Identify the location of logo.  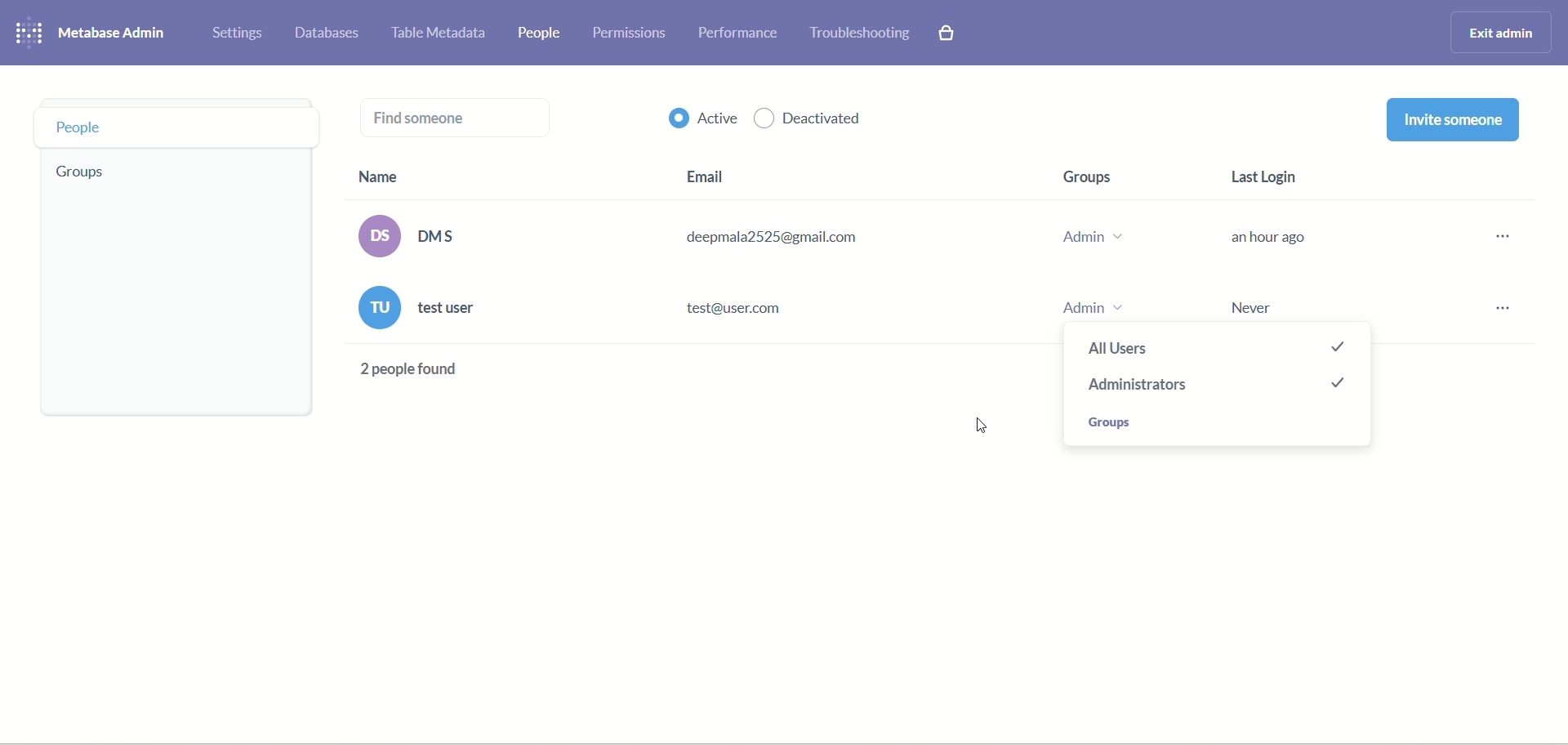
(30, 30).